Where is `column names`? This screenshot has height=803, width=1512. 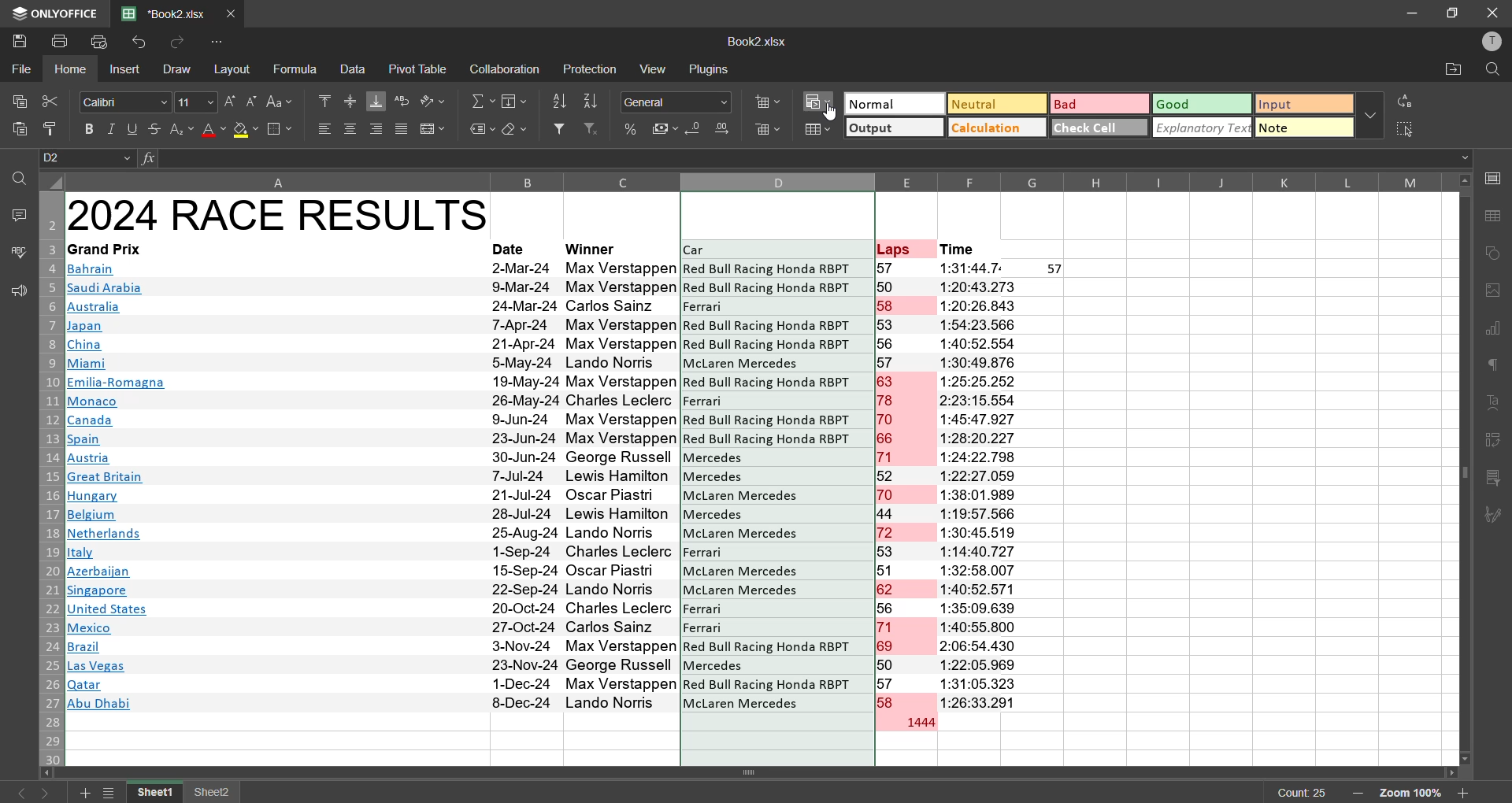
column names is located at coordinates (370, 182).